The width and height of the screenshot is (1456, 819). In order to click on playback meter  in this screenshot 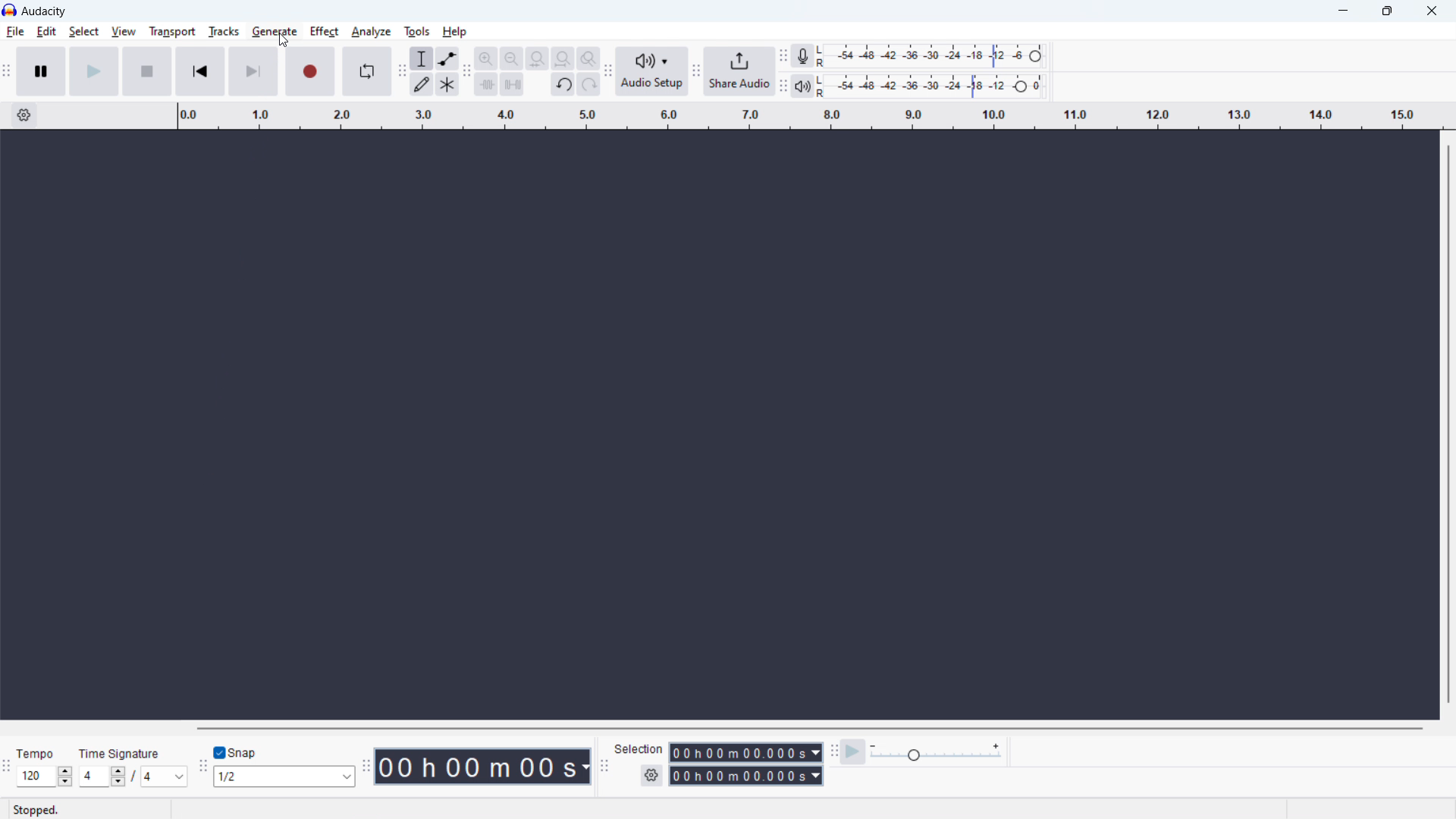, I will do `click(802, 86)`.